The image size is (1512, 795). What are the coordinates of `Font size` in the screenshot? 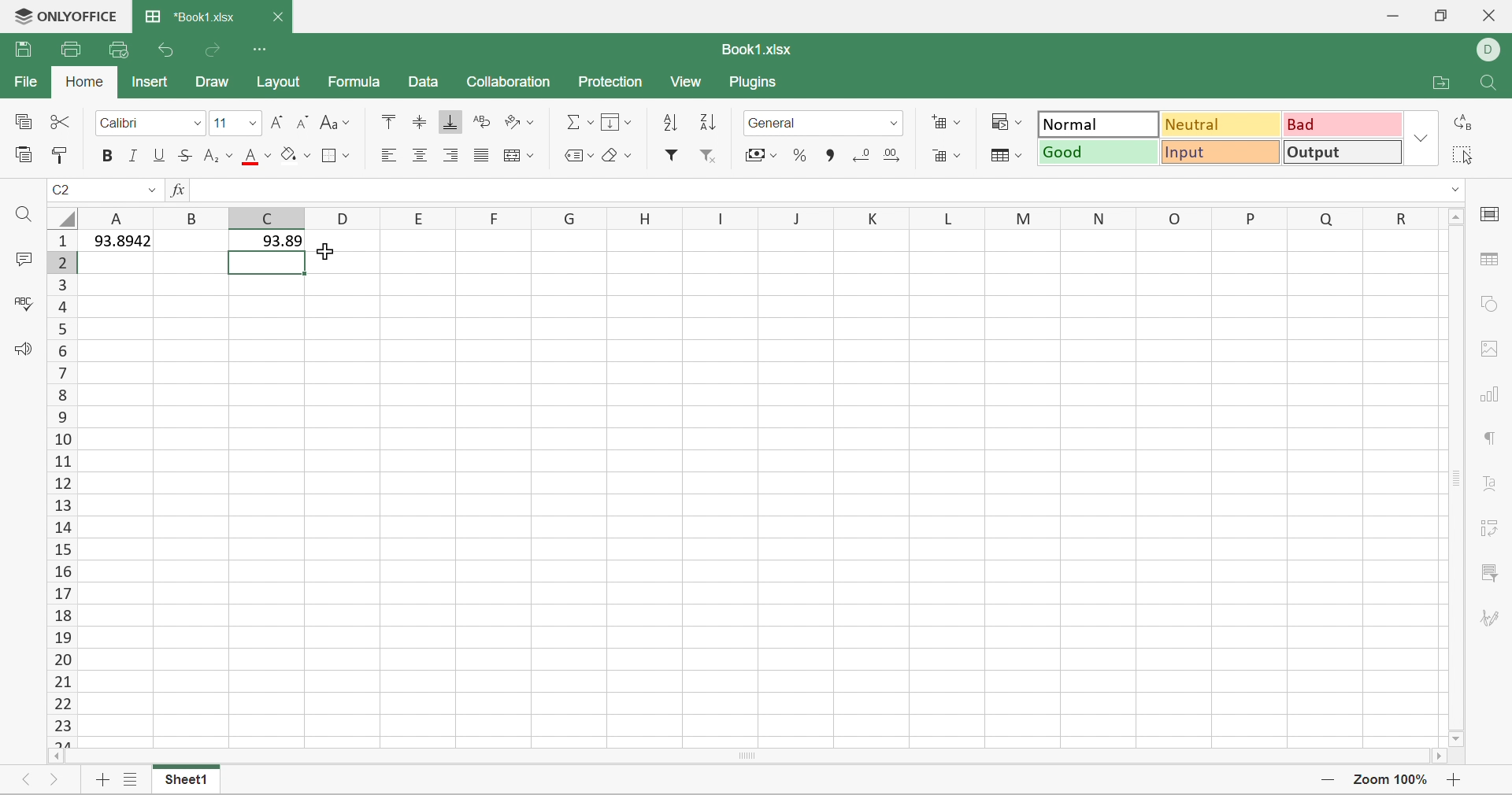 It's located at (221, 123).